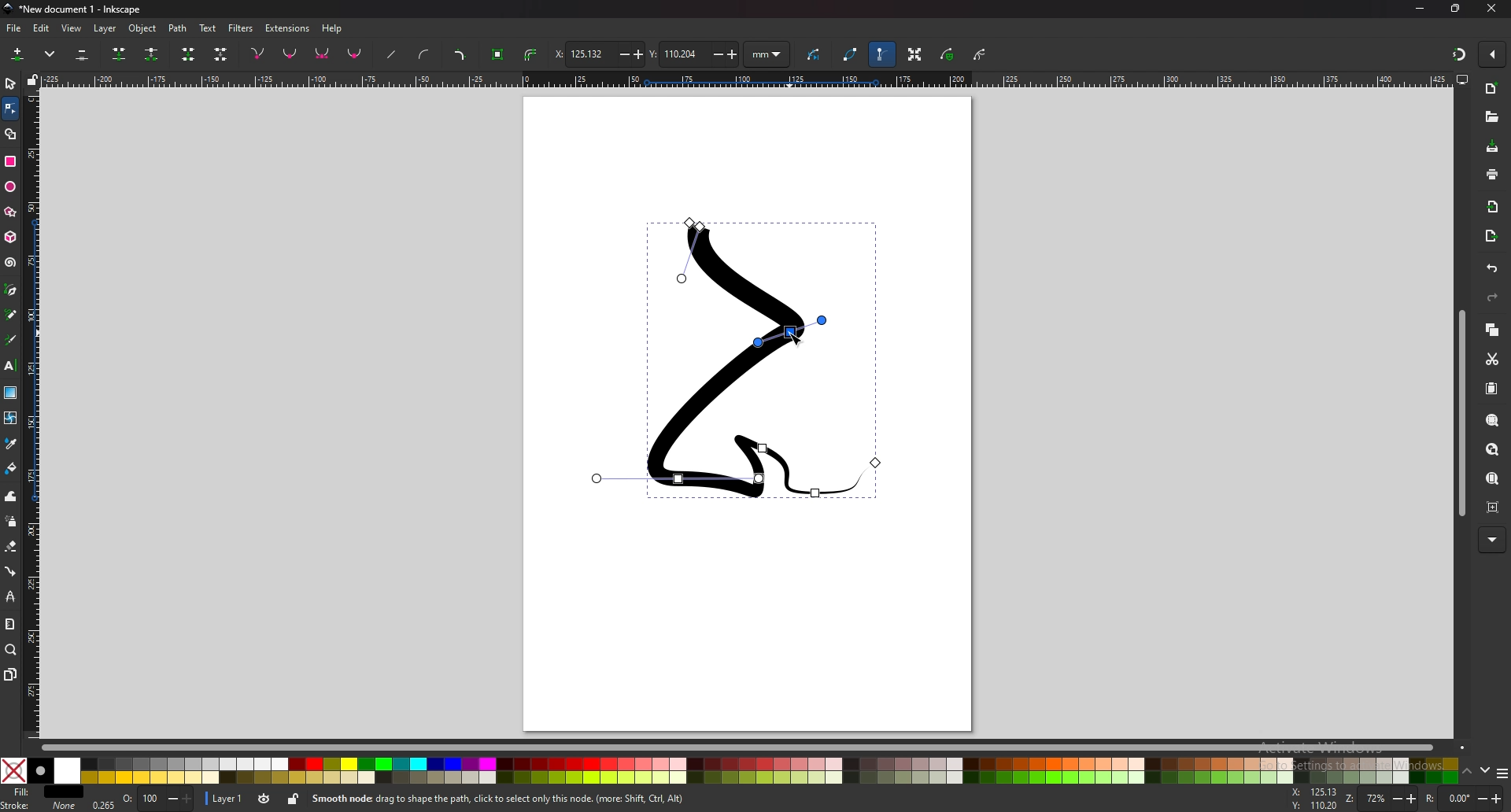  Describe the element at coordinates (290, 55) in the screenshot. I see `smooth` at that location.